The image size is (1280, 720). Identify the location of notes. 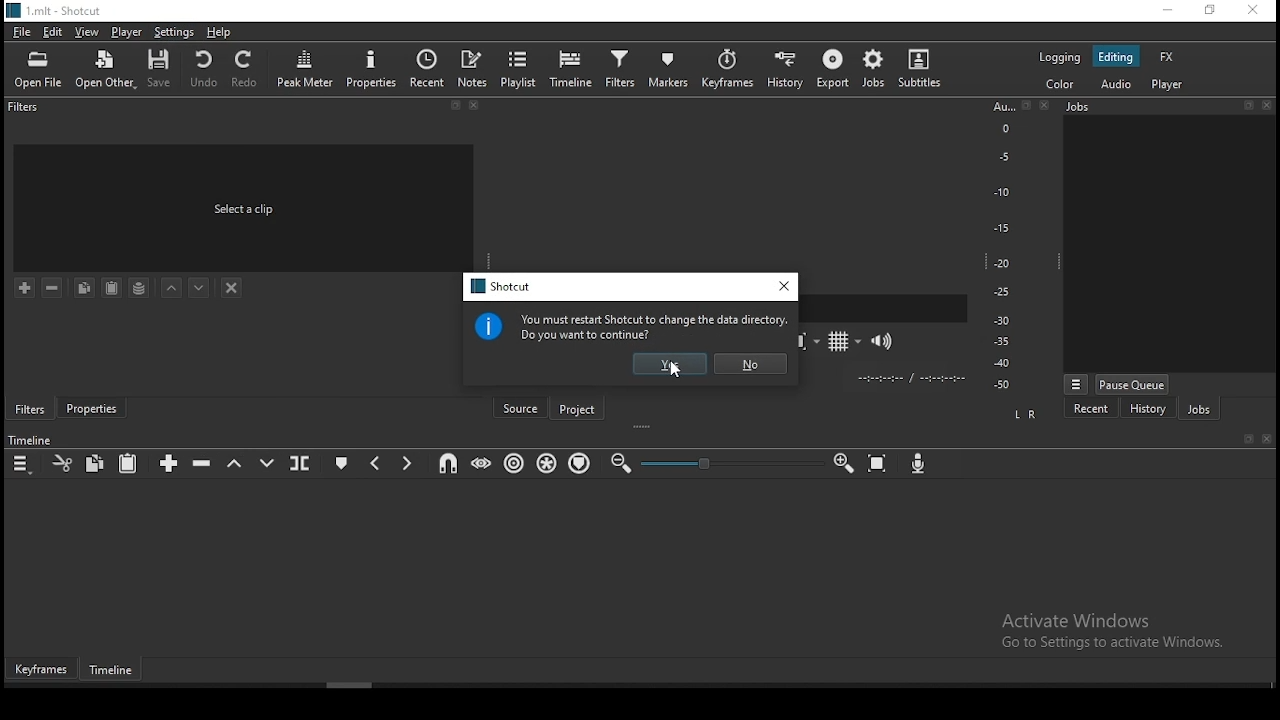
(474, 68).